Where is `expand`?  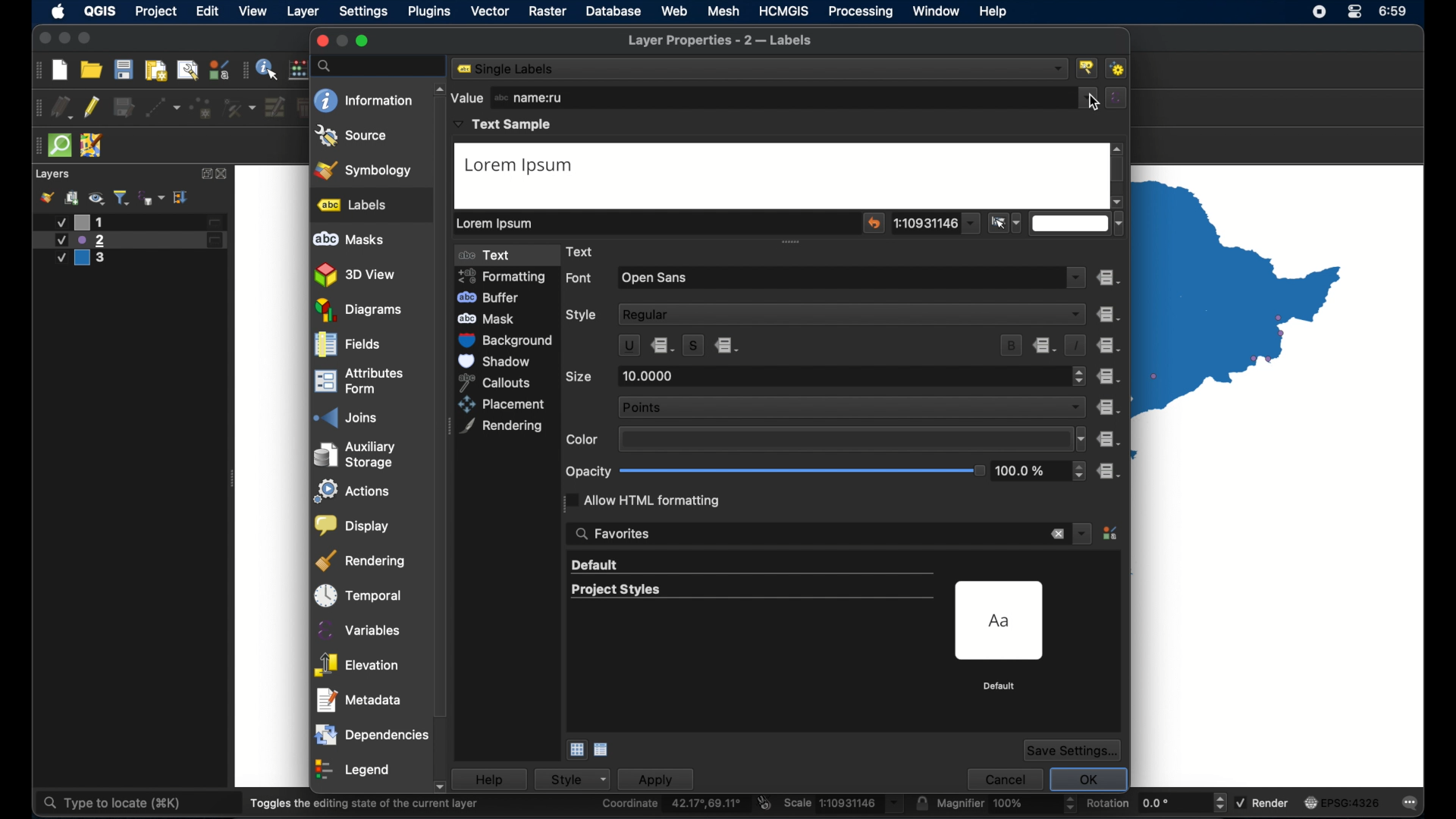
expand is located at coordinates (182, 198).